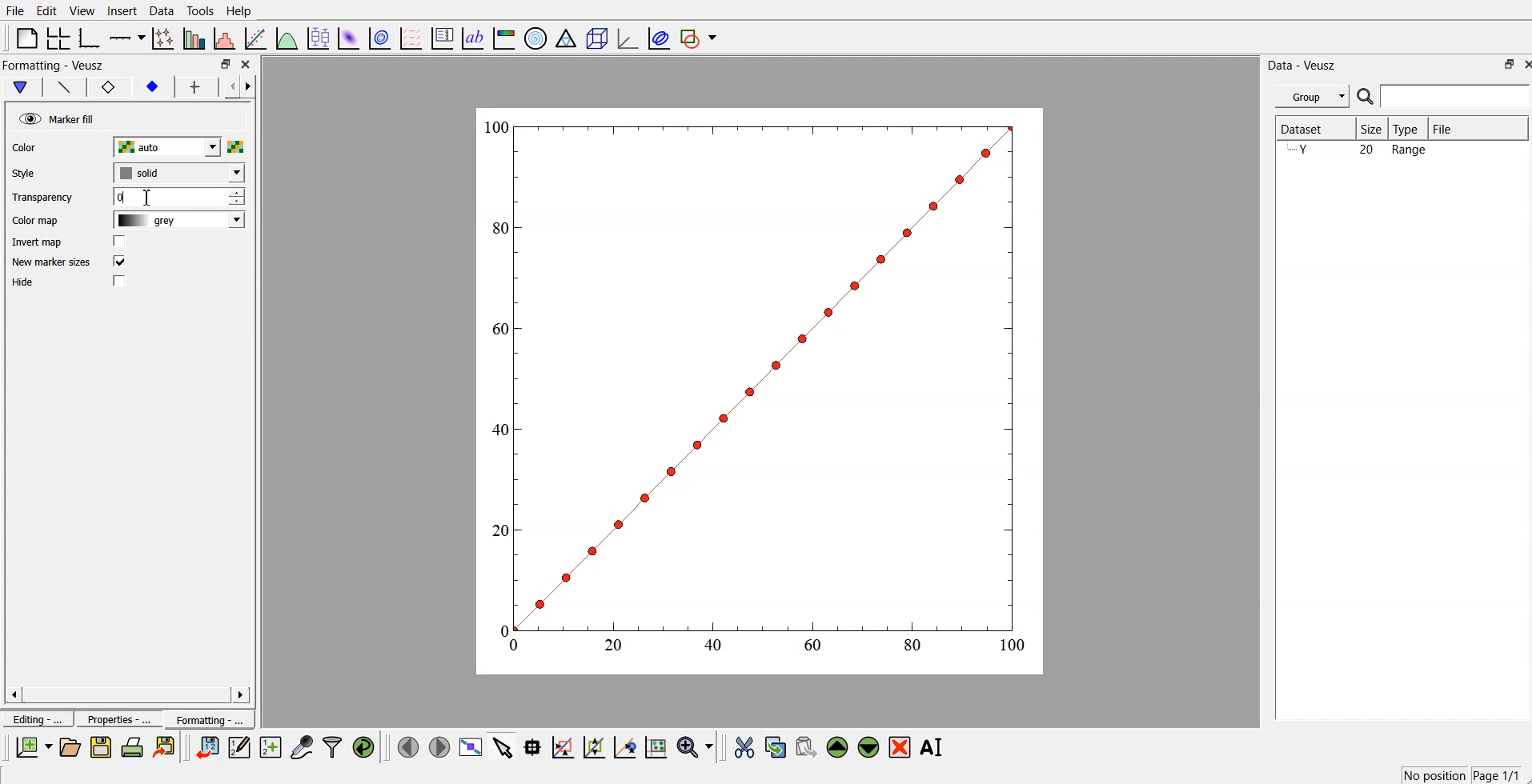  What do you see at coordinates (127, 694) in the screenshot?
I see `scroll bar` at bounding box center [127, 694].